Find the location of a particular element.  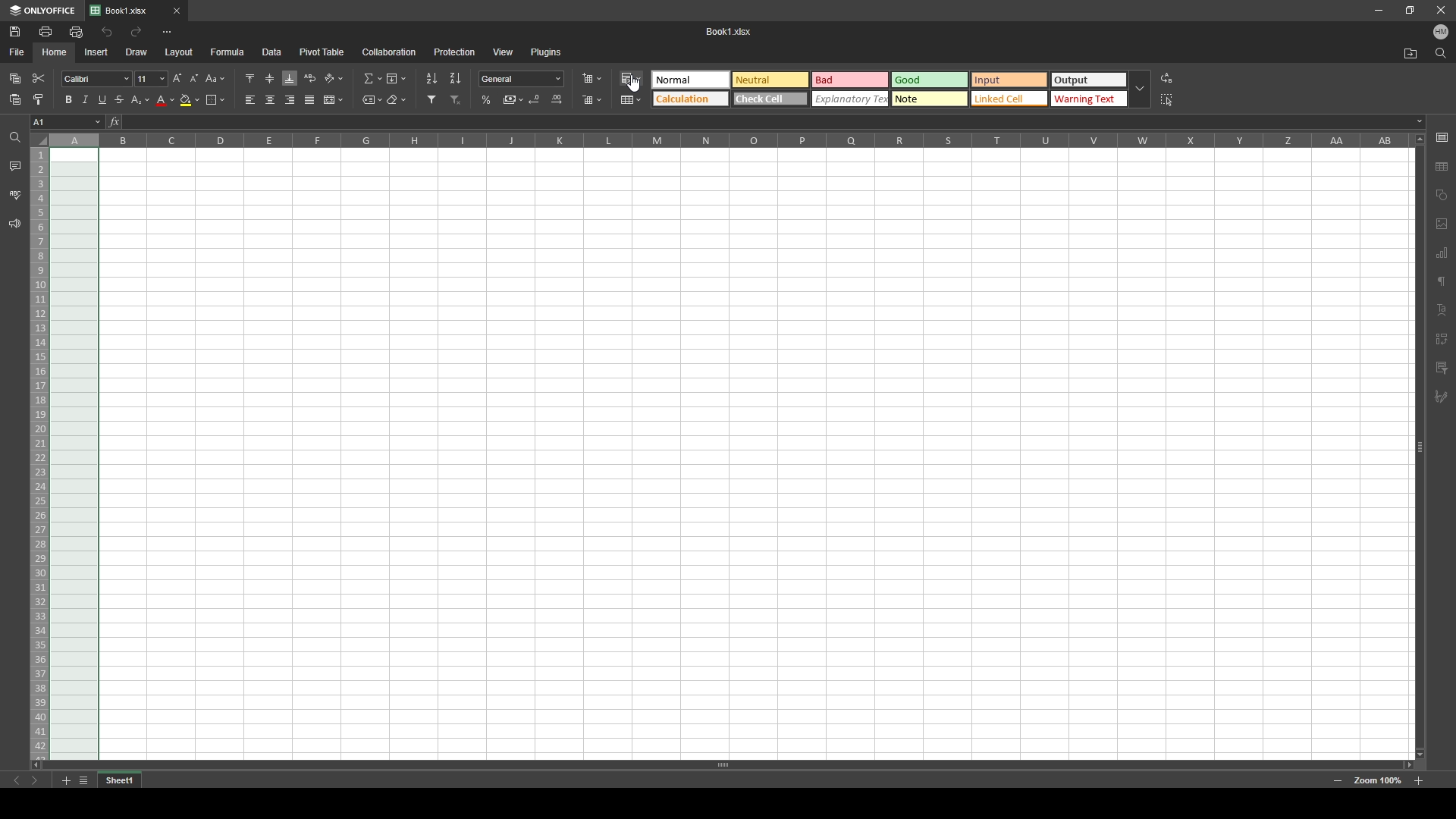

select all cells is located at coordinates (39, 139).